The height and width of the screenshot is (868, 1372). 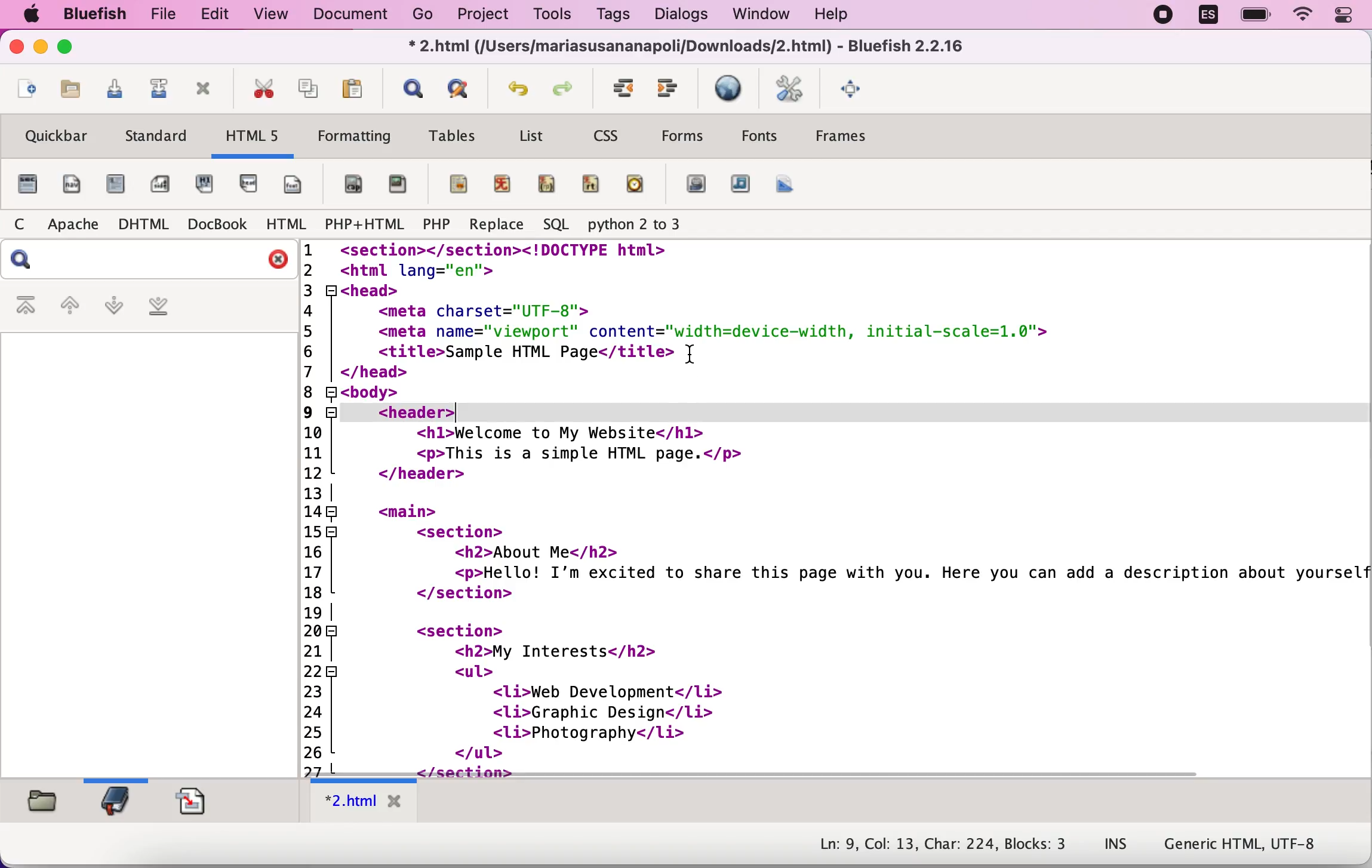 I want to click on fonts, so click(x=759, y=139).